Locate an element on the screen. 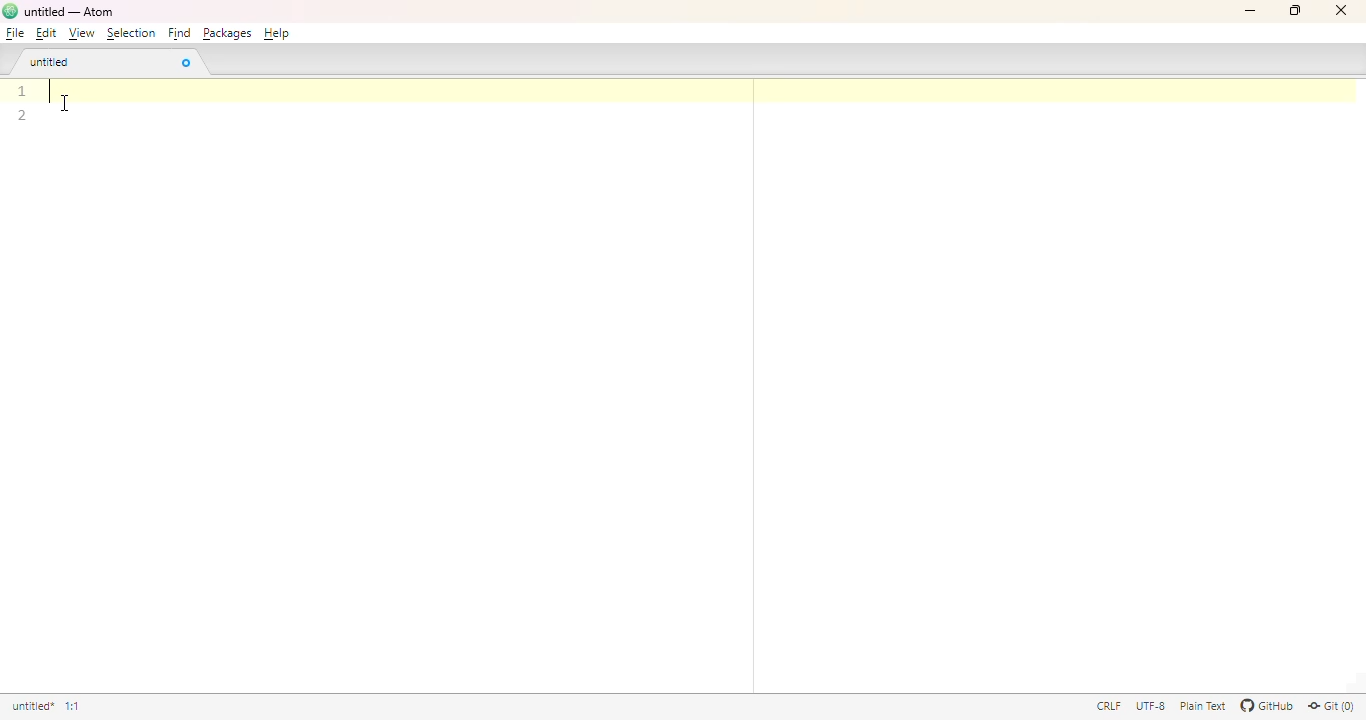 The height and width of the screenshot is (720, 1366). selection is located at coordinates (131, 34).